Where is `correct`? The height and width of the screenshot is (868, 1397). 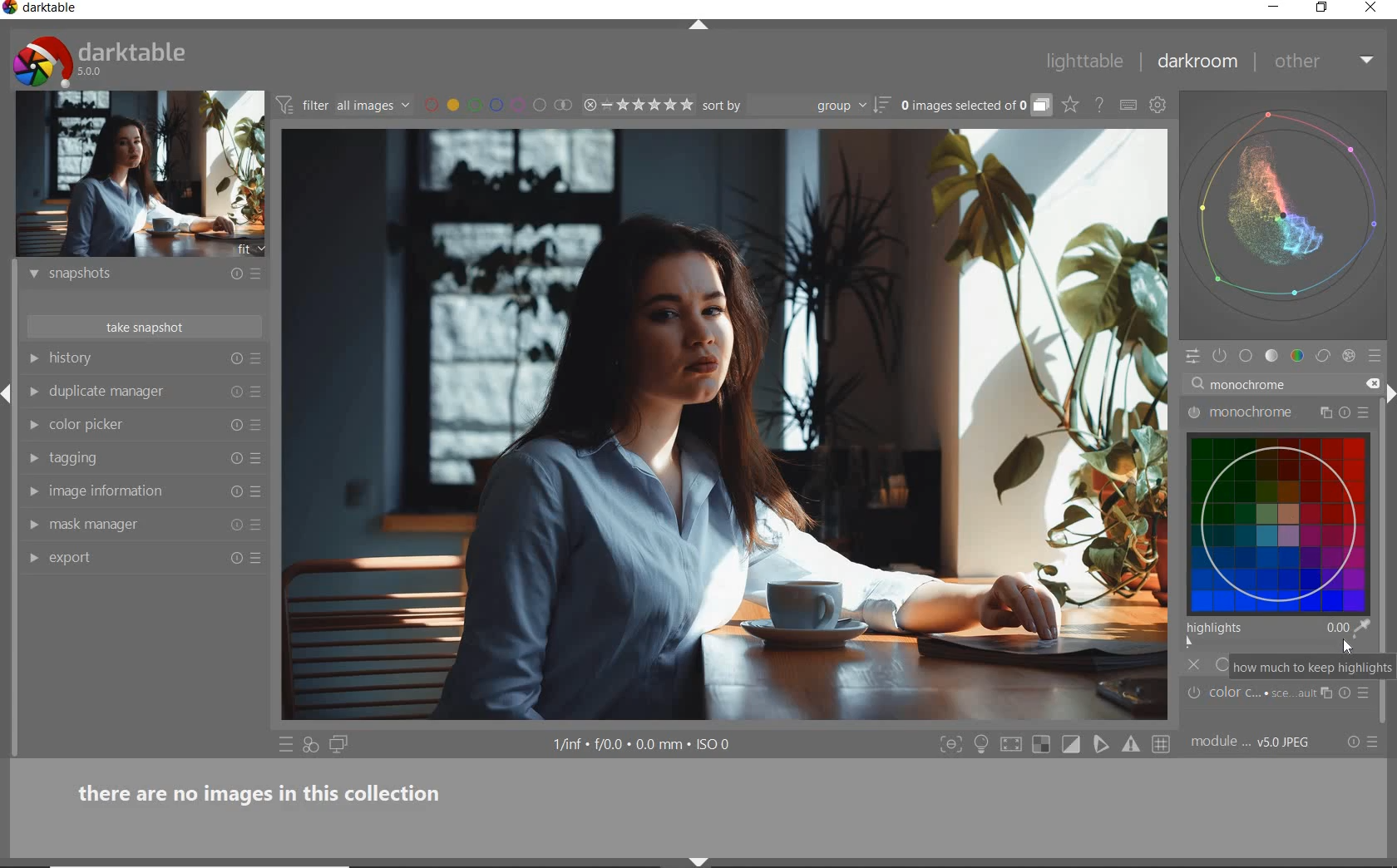
correct is located at coordinates (1323, 357).